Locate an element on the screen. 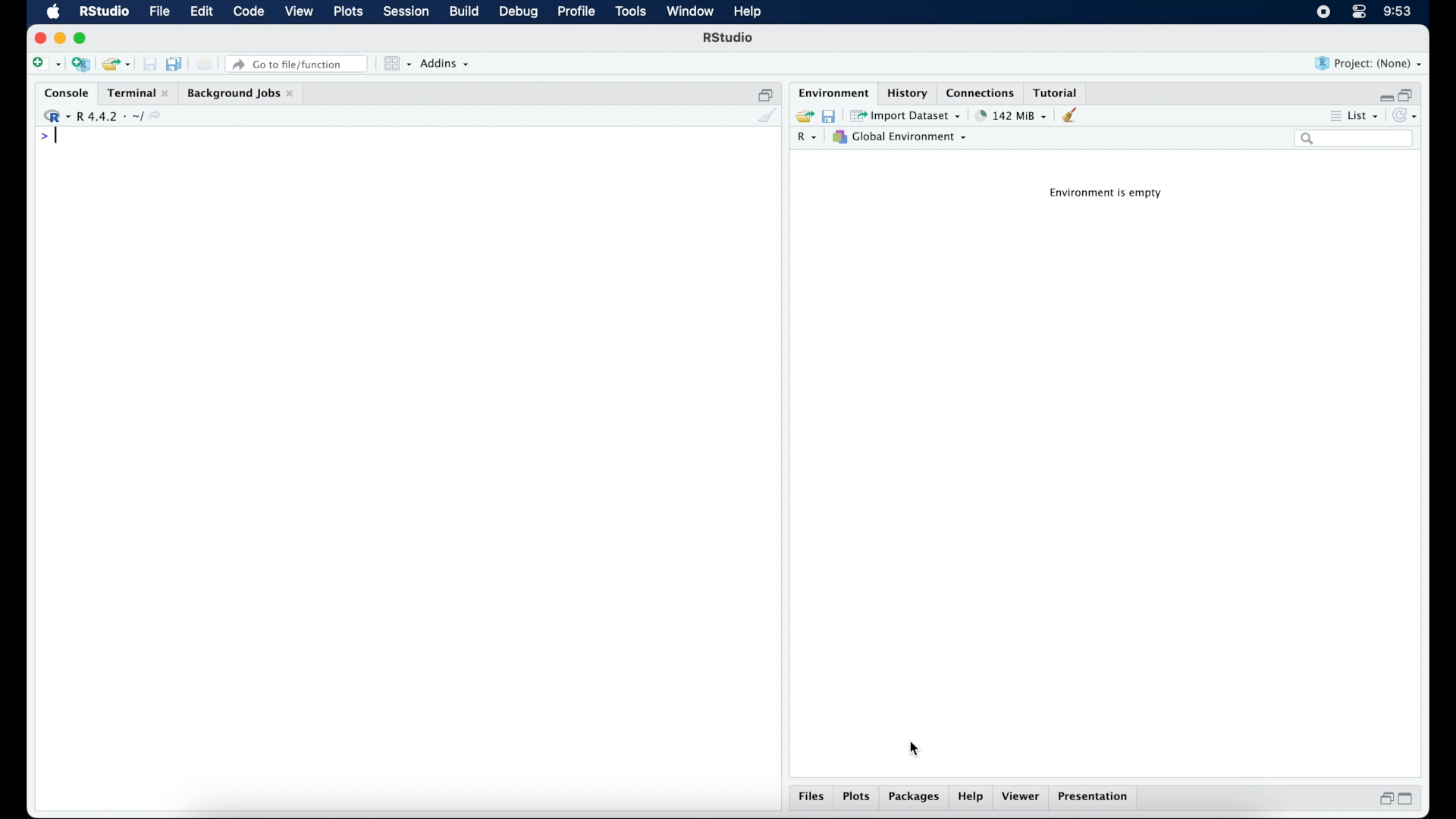  code is located at coordinates (249, 12).